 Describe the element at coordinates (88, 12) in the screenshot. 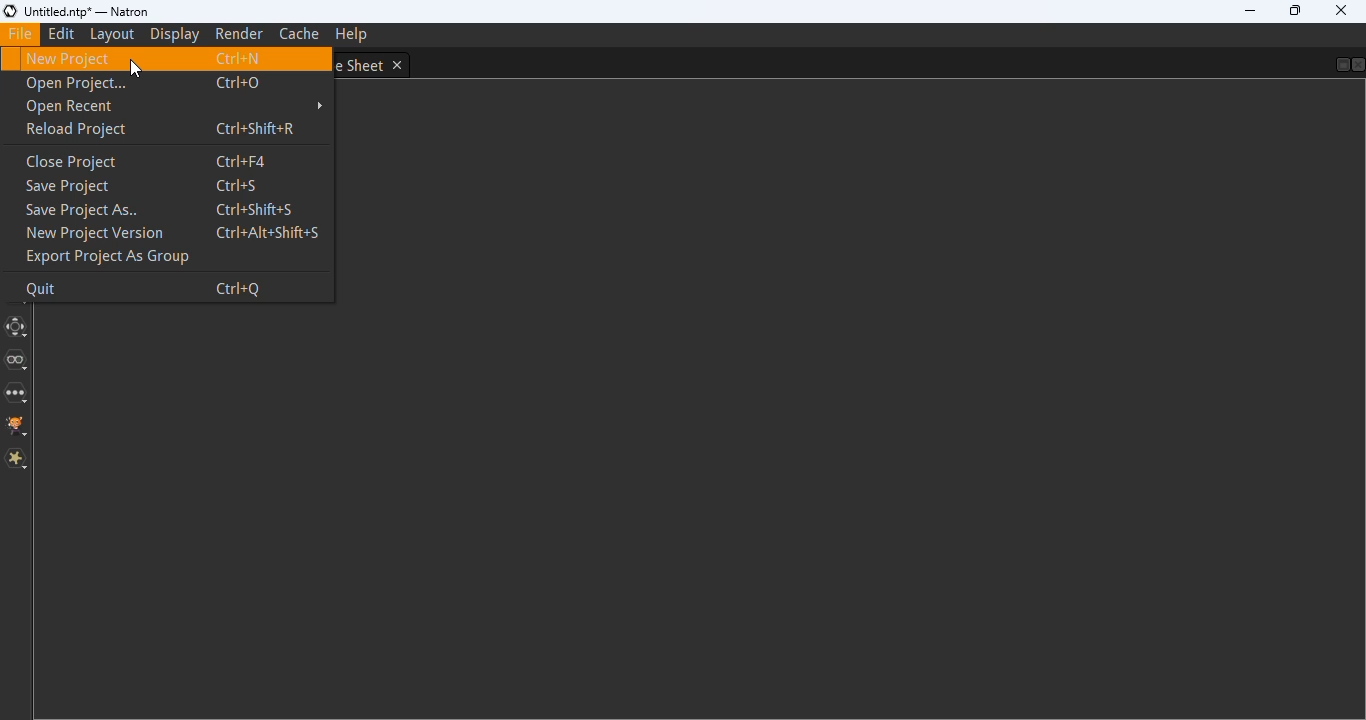

I see `title` at that location.